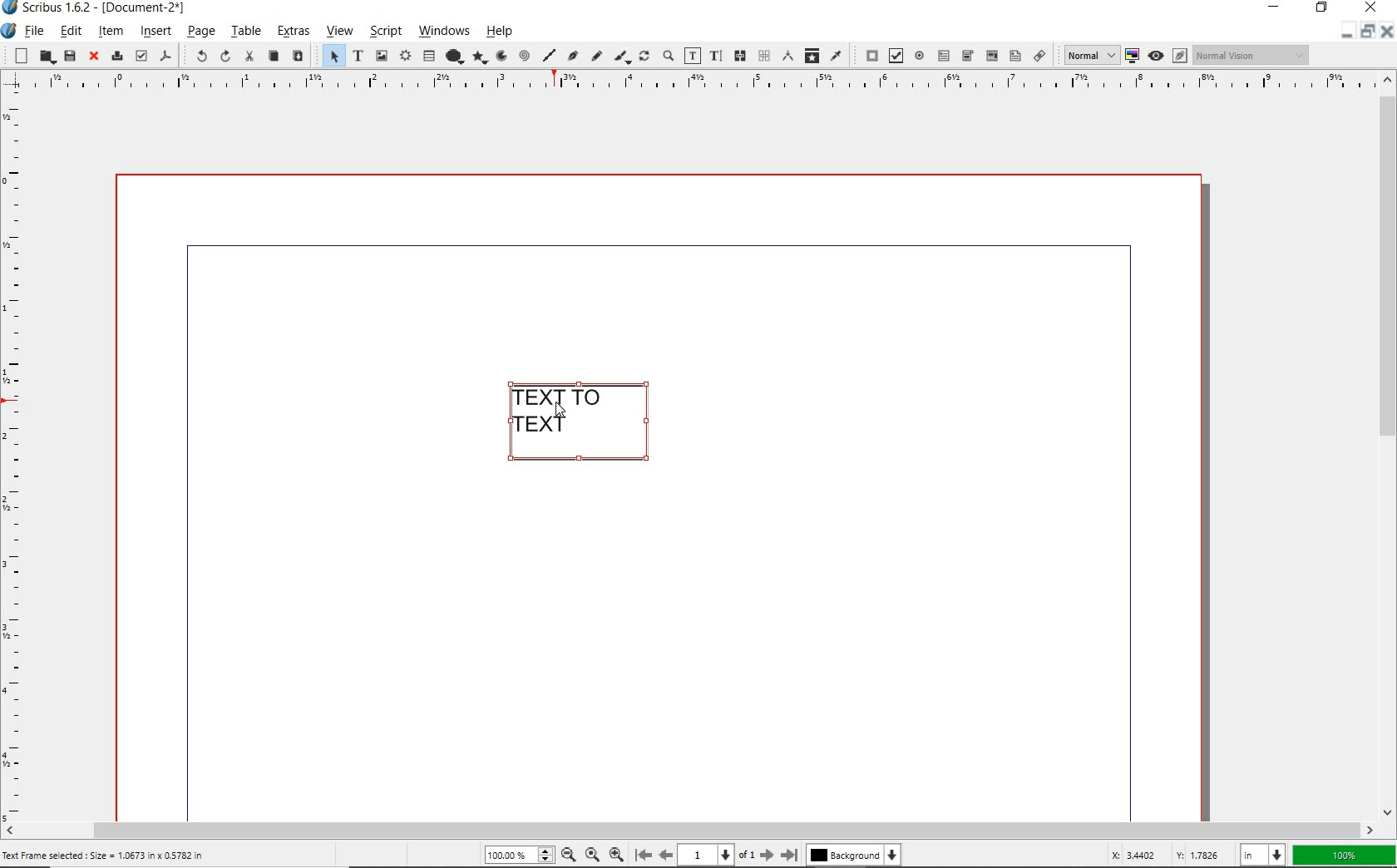 This screenshot has height=868, width=1397. Describe the element at coordinates (919, 56) in the screenshot. I see `pdf radio button` at that location.